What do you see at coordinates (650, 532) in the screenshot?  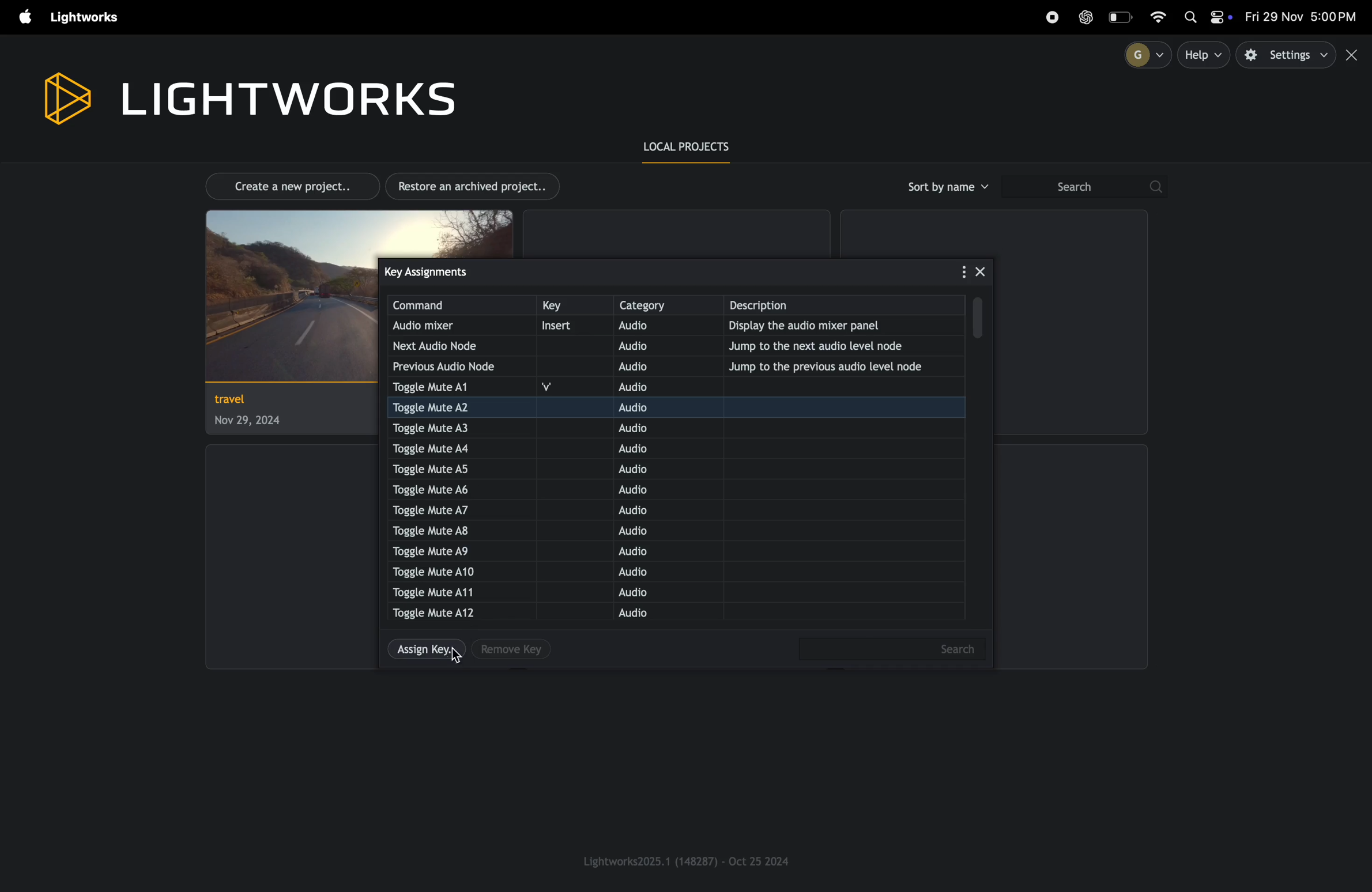 I see `audio` at bounding box center [650, 532].